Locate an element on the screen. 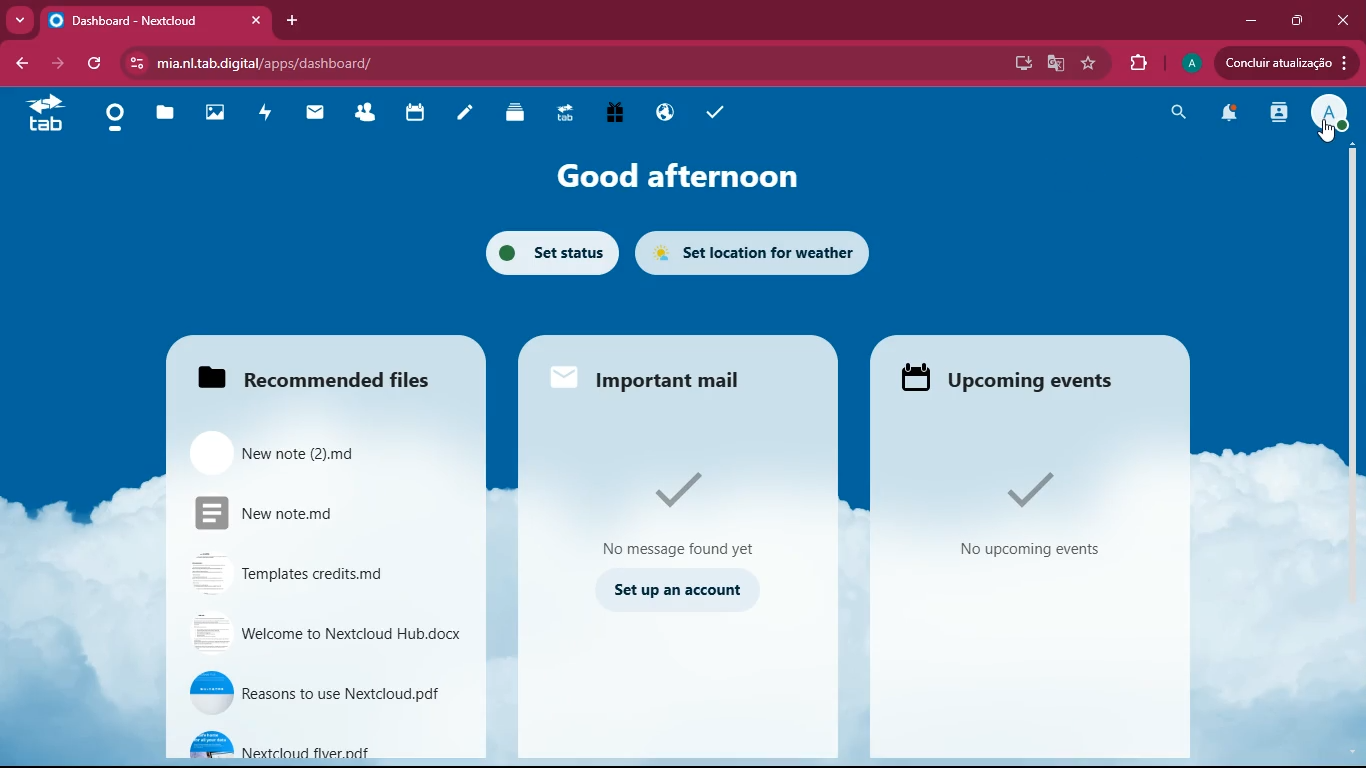 This screenshot has width=1366, height=768. Cursor is located at coordinates (1328, 133).